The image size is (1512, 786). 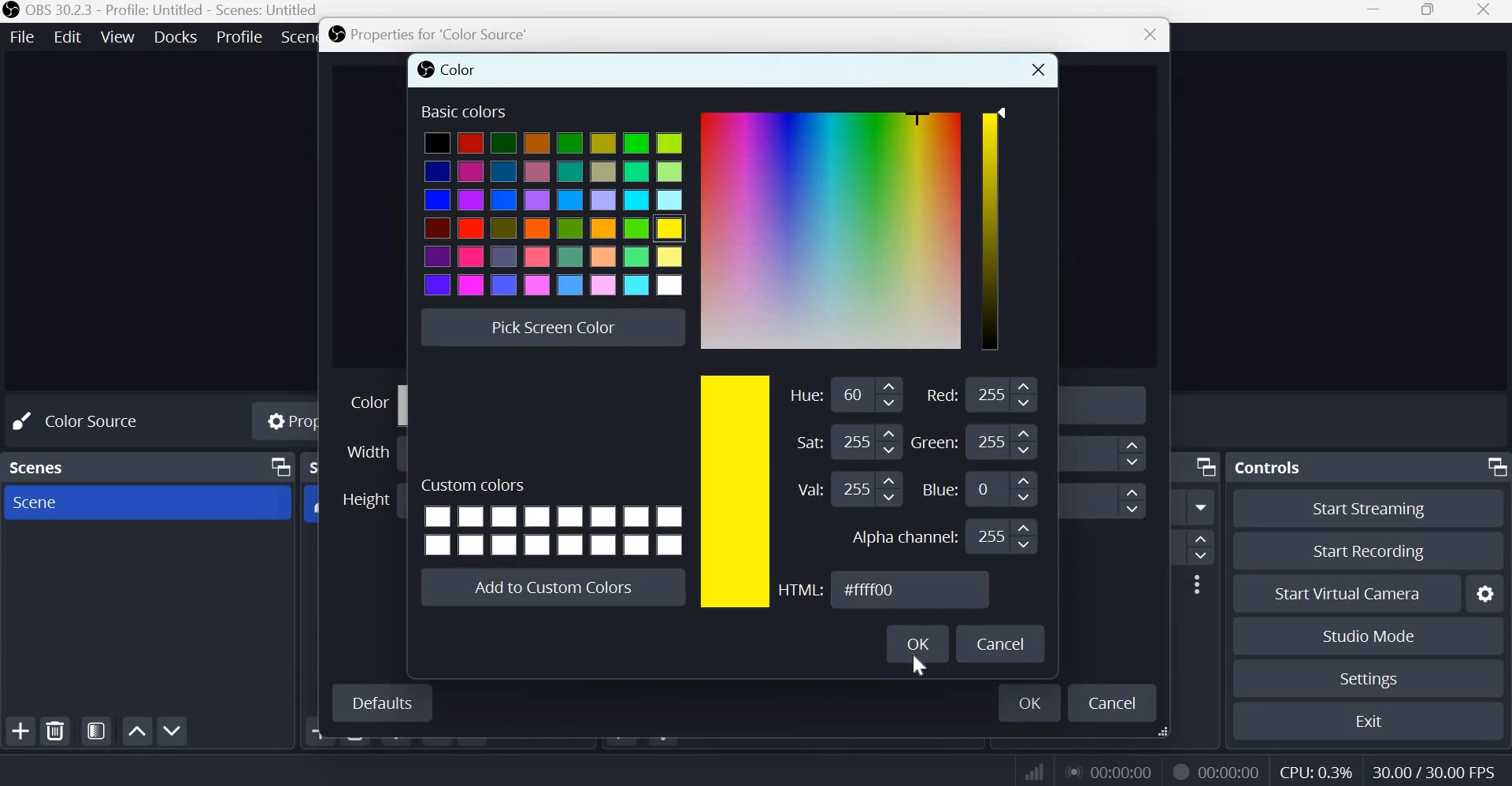 What do you see at coordinates (988, 227) in the screenshot?
I see `color scale` at bounding box center [988, 227].